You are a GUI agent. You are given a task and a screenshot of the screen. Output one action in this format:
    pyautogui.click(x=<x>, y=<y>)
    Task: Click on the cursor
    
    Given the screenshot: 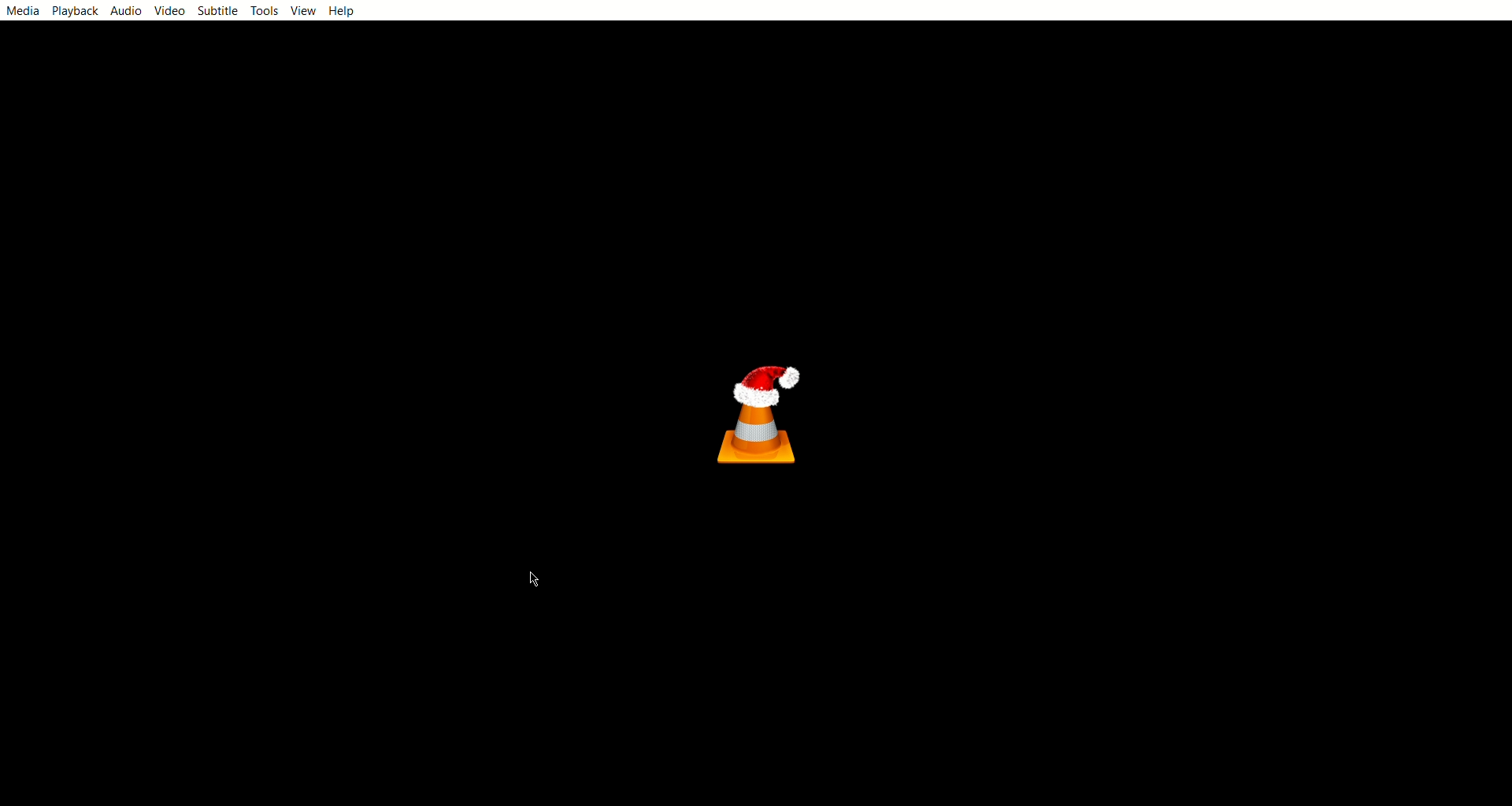 What is the action you would take?
    pyautogui.click(x=532, y=579)
    